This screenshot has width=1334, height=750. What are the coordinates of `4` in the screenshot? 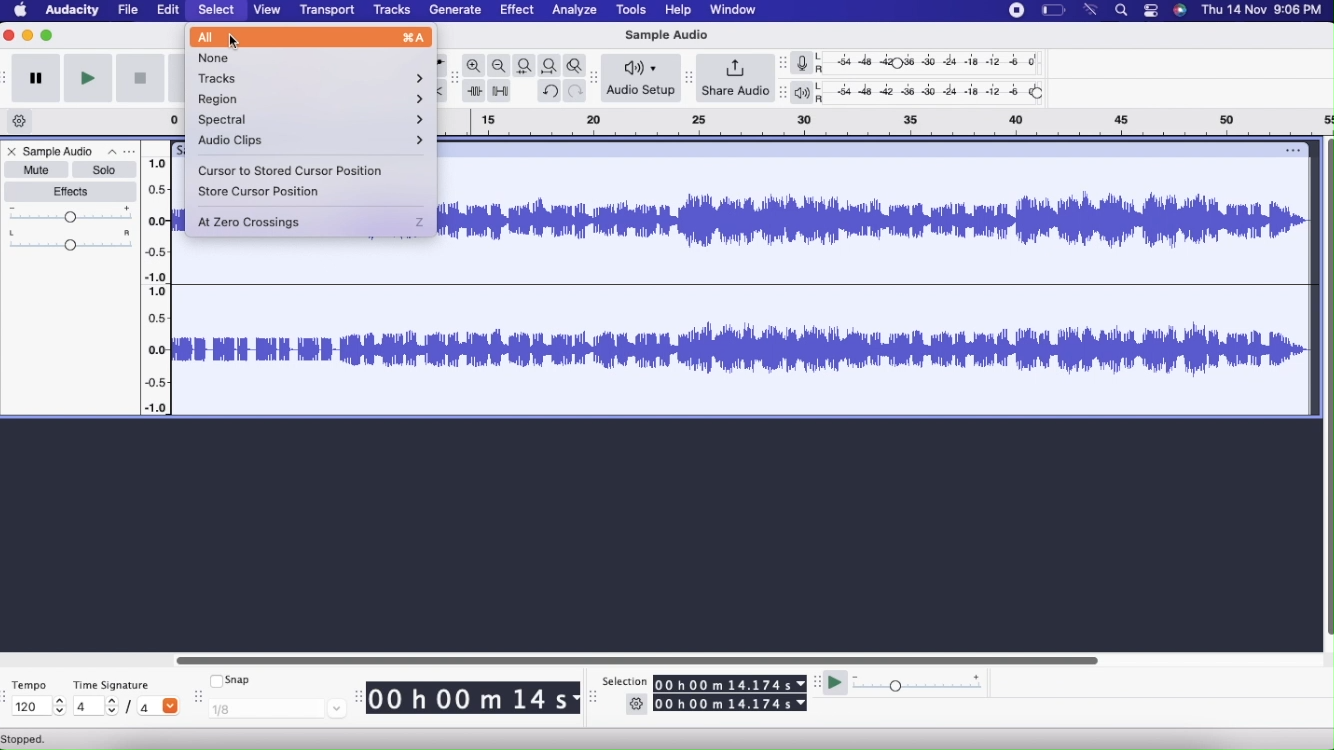 It's located at (97, 707).